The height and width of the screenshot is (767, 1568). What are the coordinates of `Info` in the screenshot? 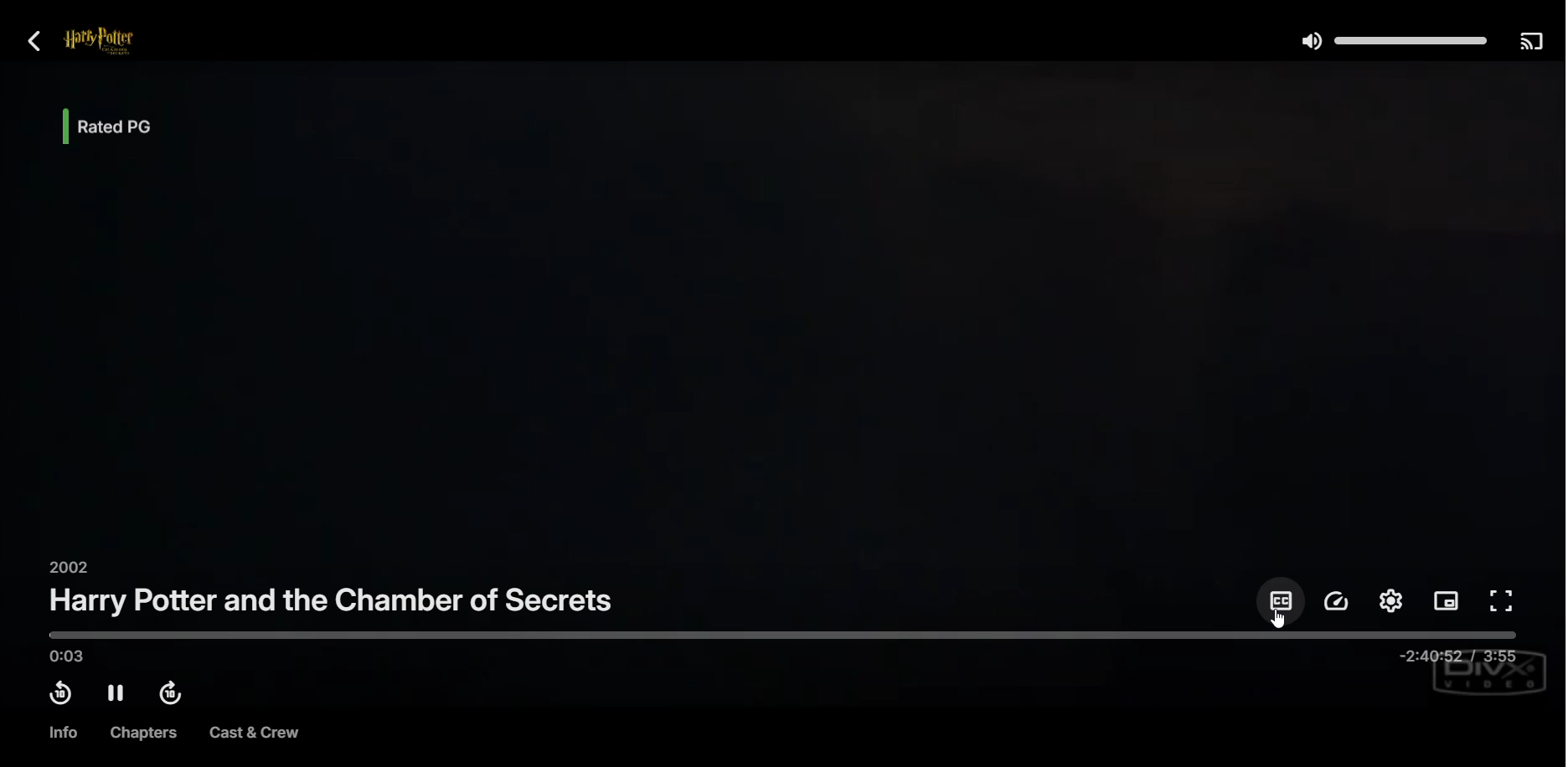 It's located at (61, 733).